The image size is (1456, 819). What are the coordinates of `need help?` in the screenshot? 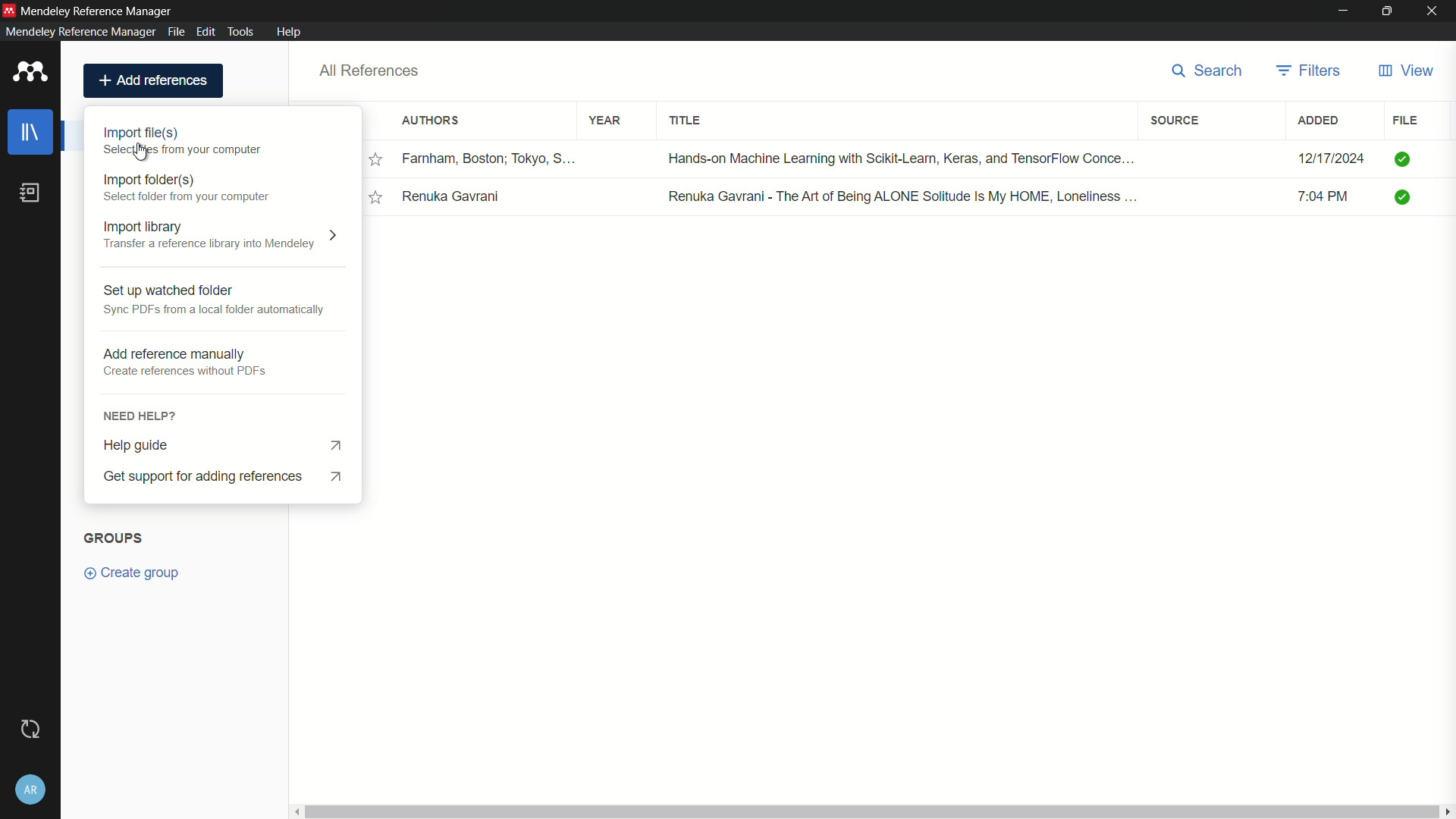 It's located at (222, 414).